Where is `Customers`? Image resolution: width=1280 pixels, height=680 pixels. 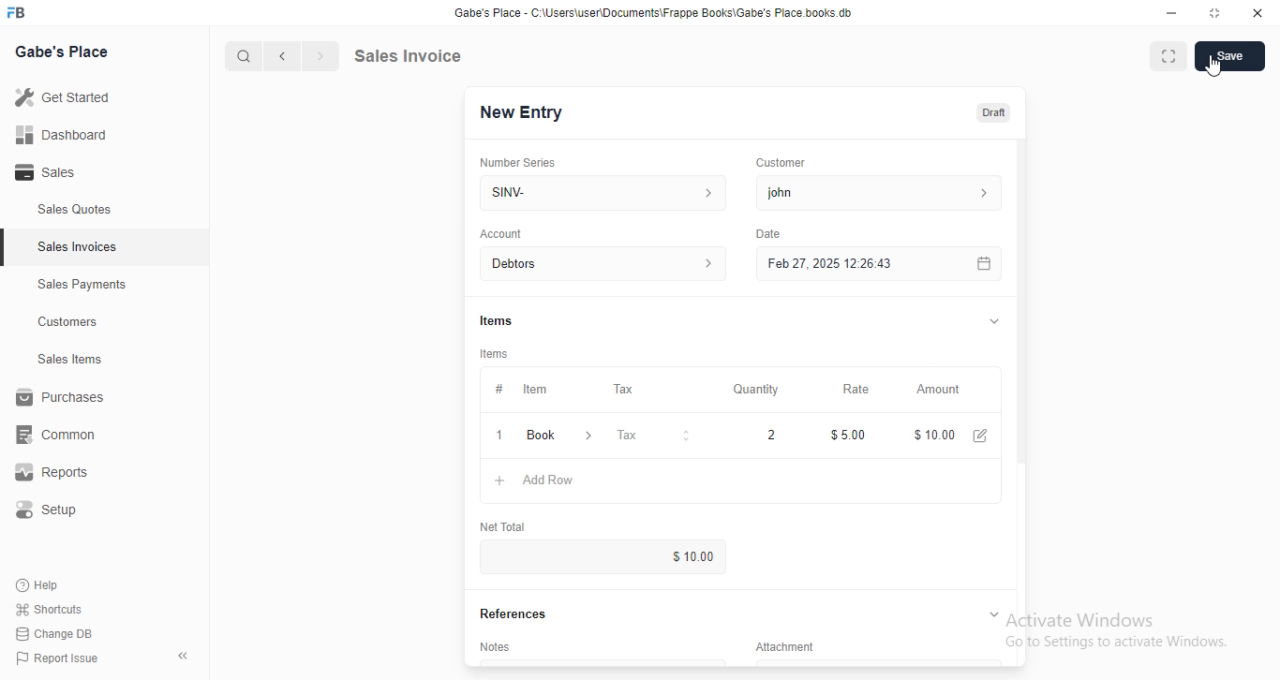 Customers is located at coordinates (67, 323).